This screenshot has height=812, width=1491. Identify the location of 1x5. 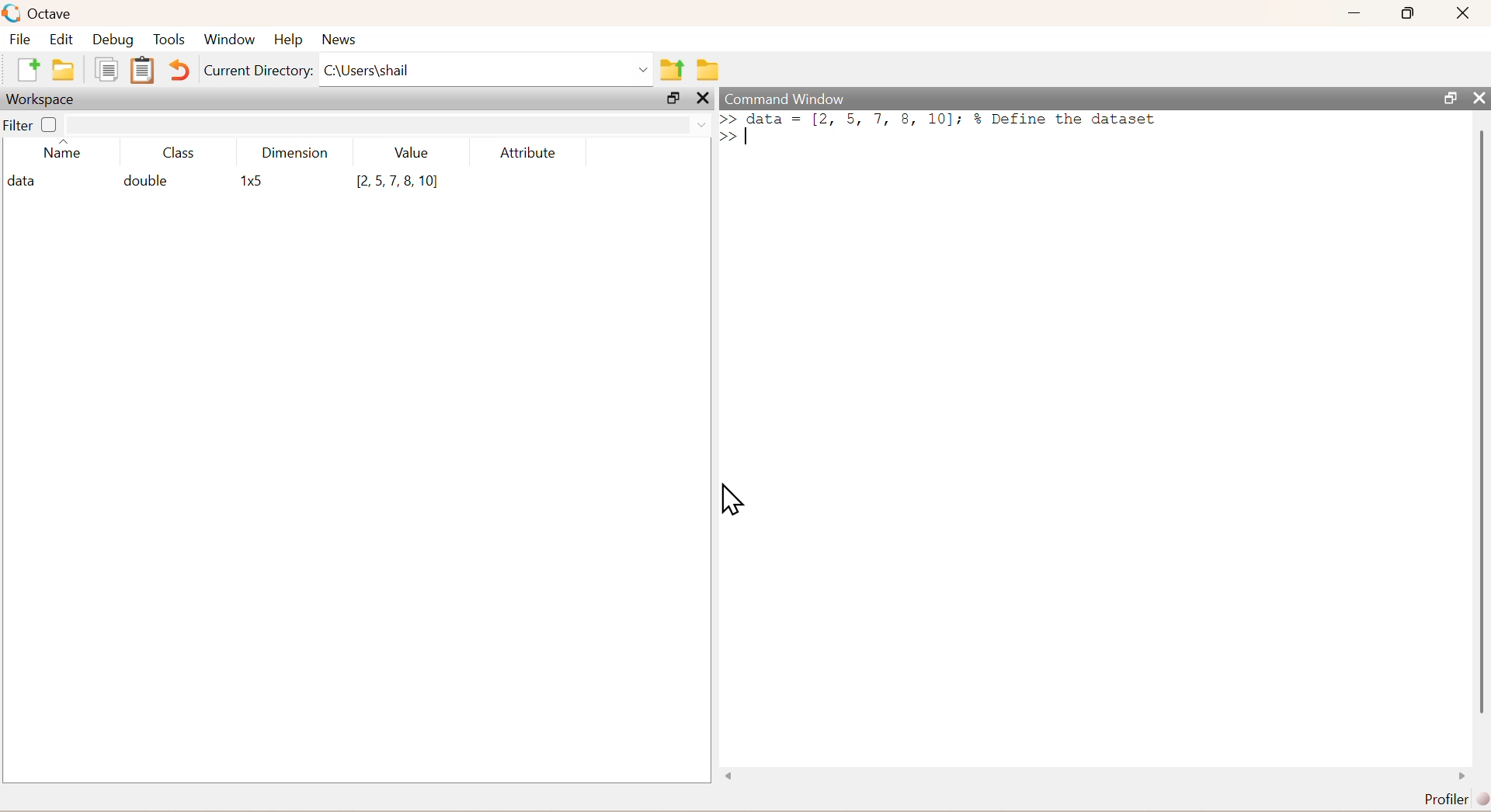
(255, 182).